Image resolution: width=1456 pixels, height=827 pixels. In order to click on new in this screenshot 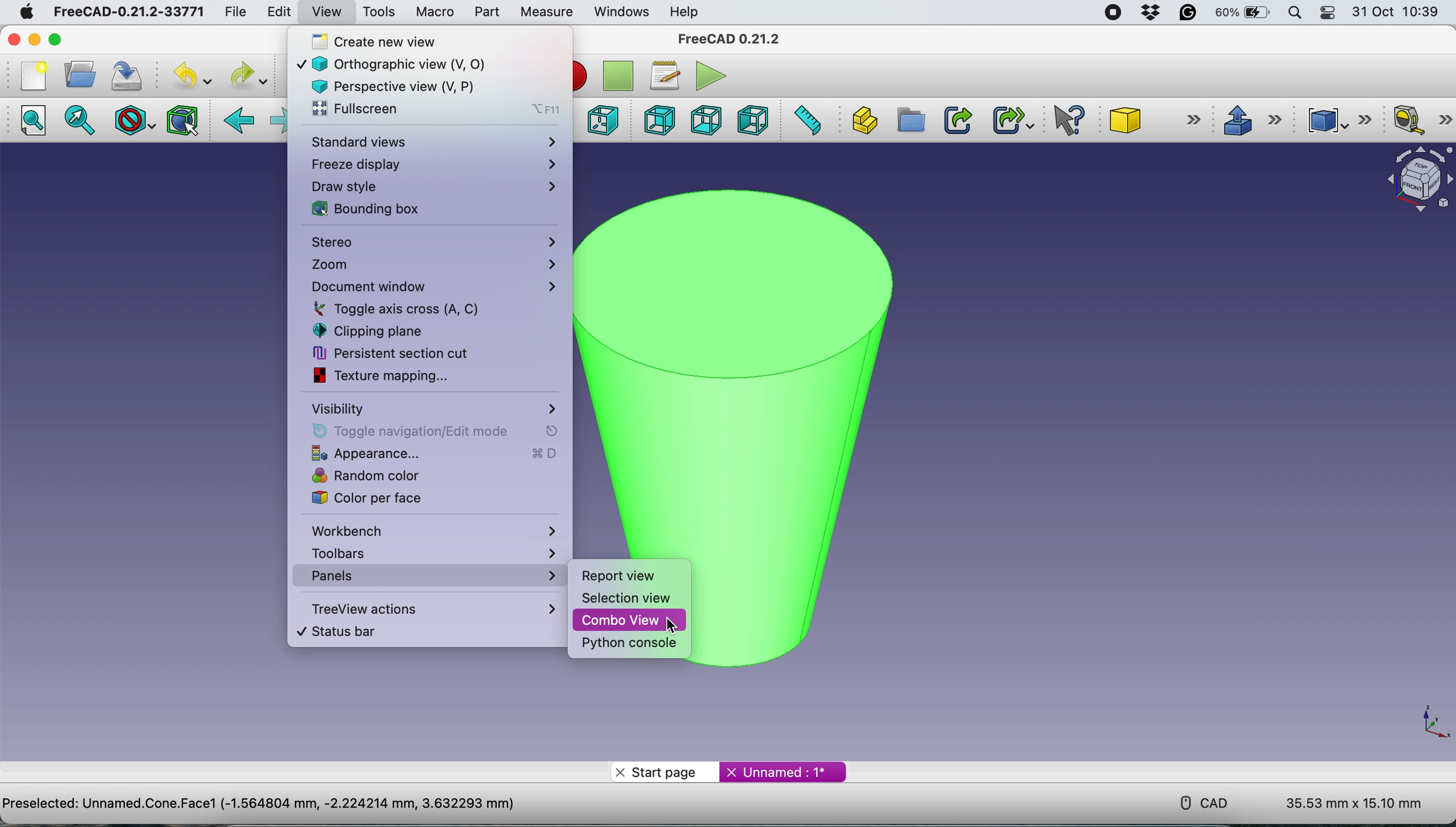, I will do `click(30, 75)`.